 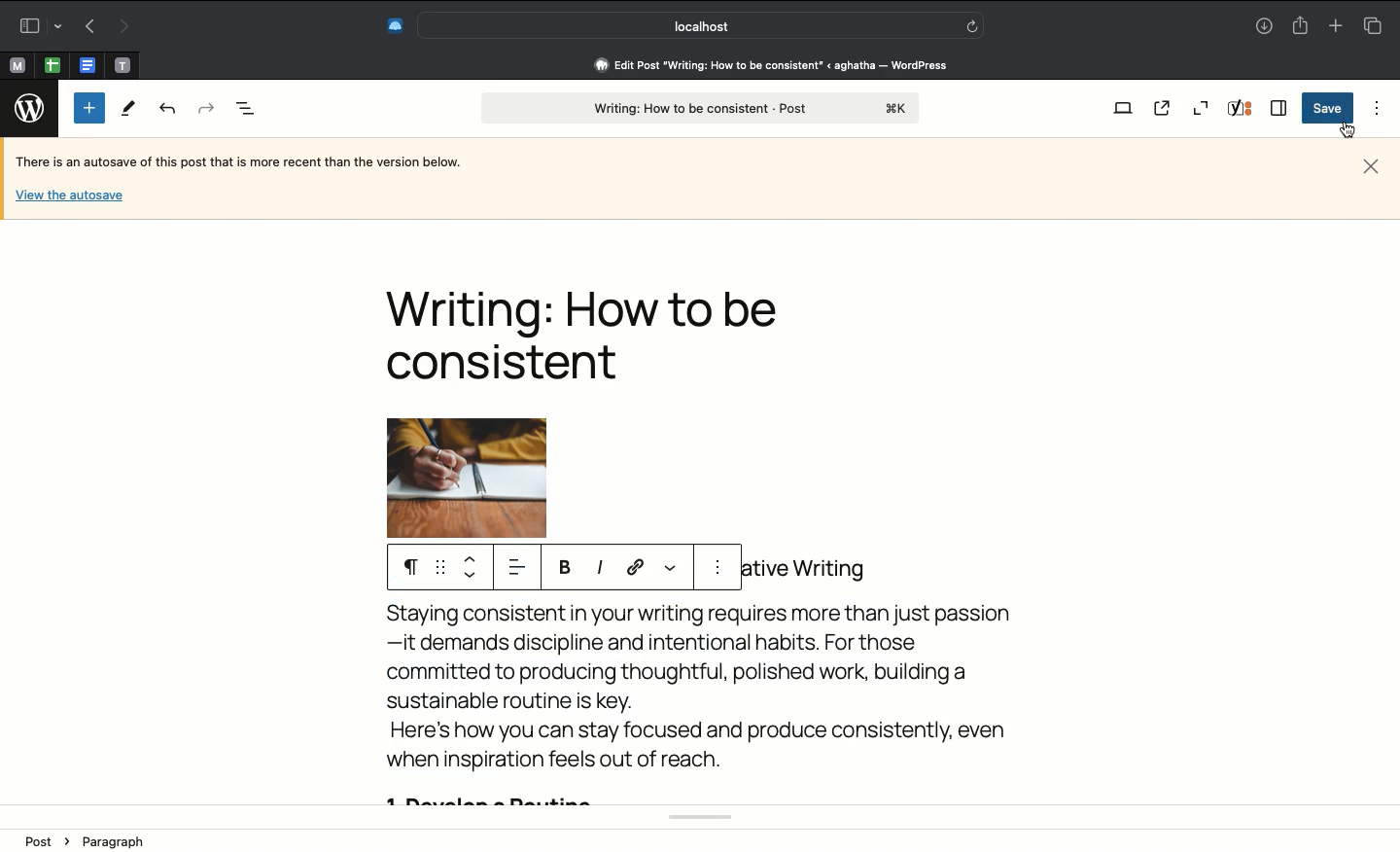 What do you see at coordinates (1334, 25) in the screenshot?
I see `Add new tab` at bounding box center [1334, 25].